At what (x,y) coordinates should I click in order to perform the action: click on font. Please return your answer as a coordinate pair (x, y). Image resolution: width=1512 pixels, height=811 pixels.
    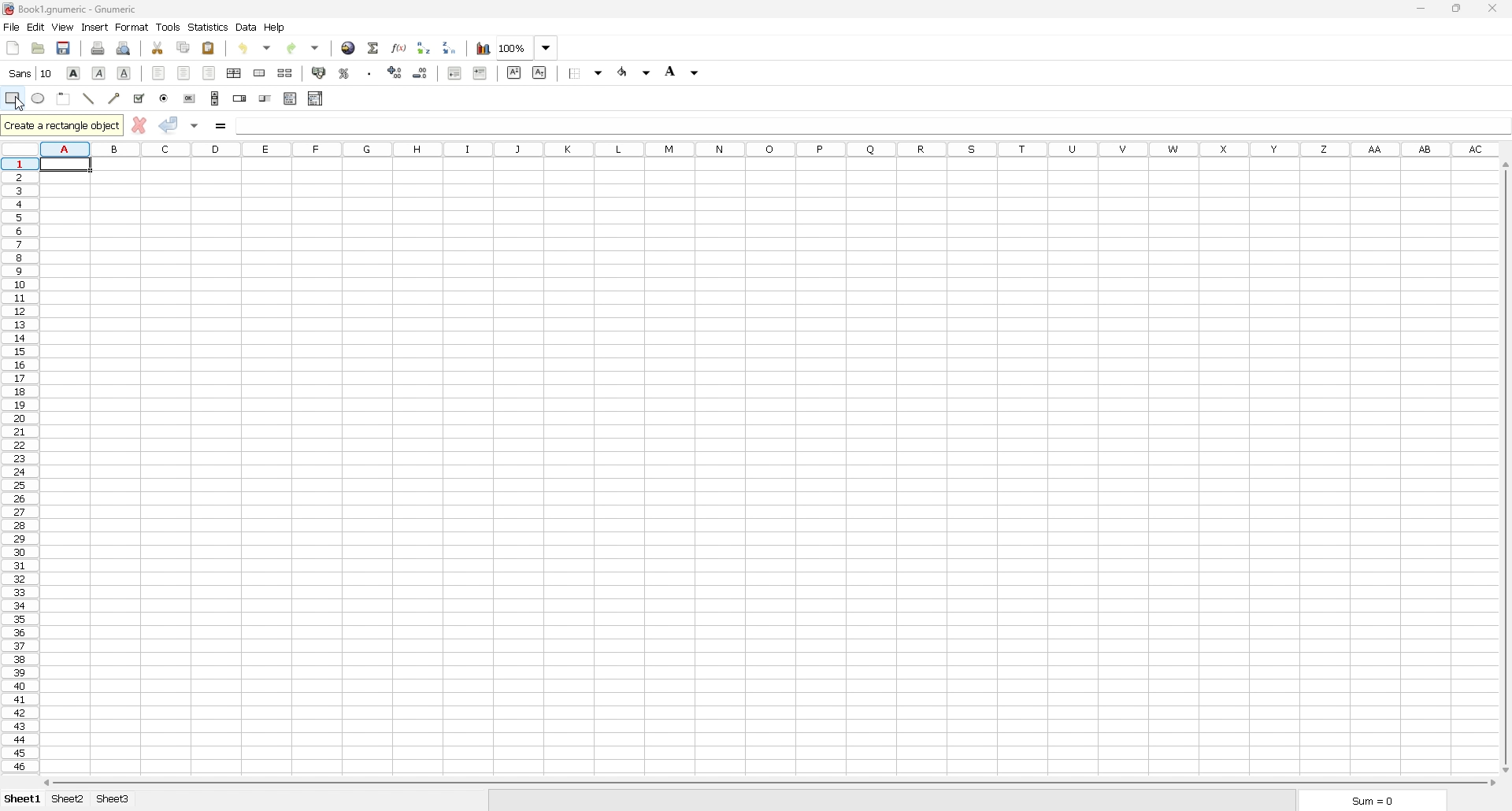
    Looking at the image, I should click on (29, 73).